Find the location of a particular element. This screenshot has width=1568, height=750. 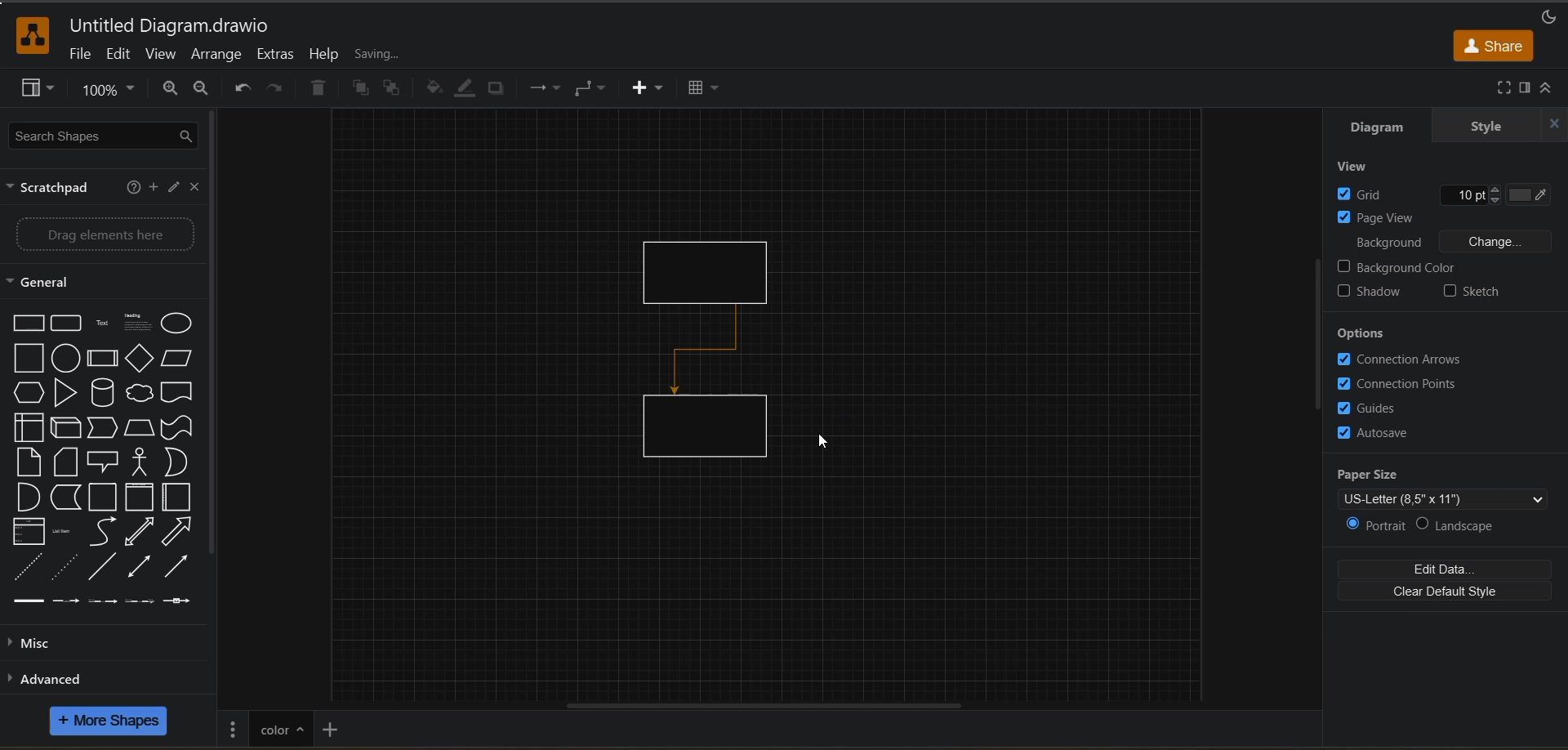

fill color is located at coordinates (435, 88).